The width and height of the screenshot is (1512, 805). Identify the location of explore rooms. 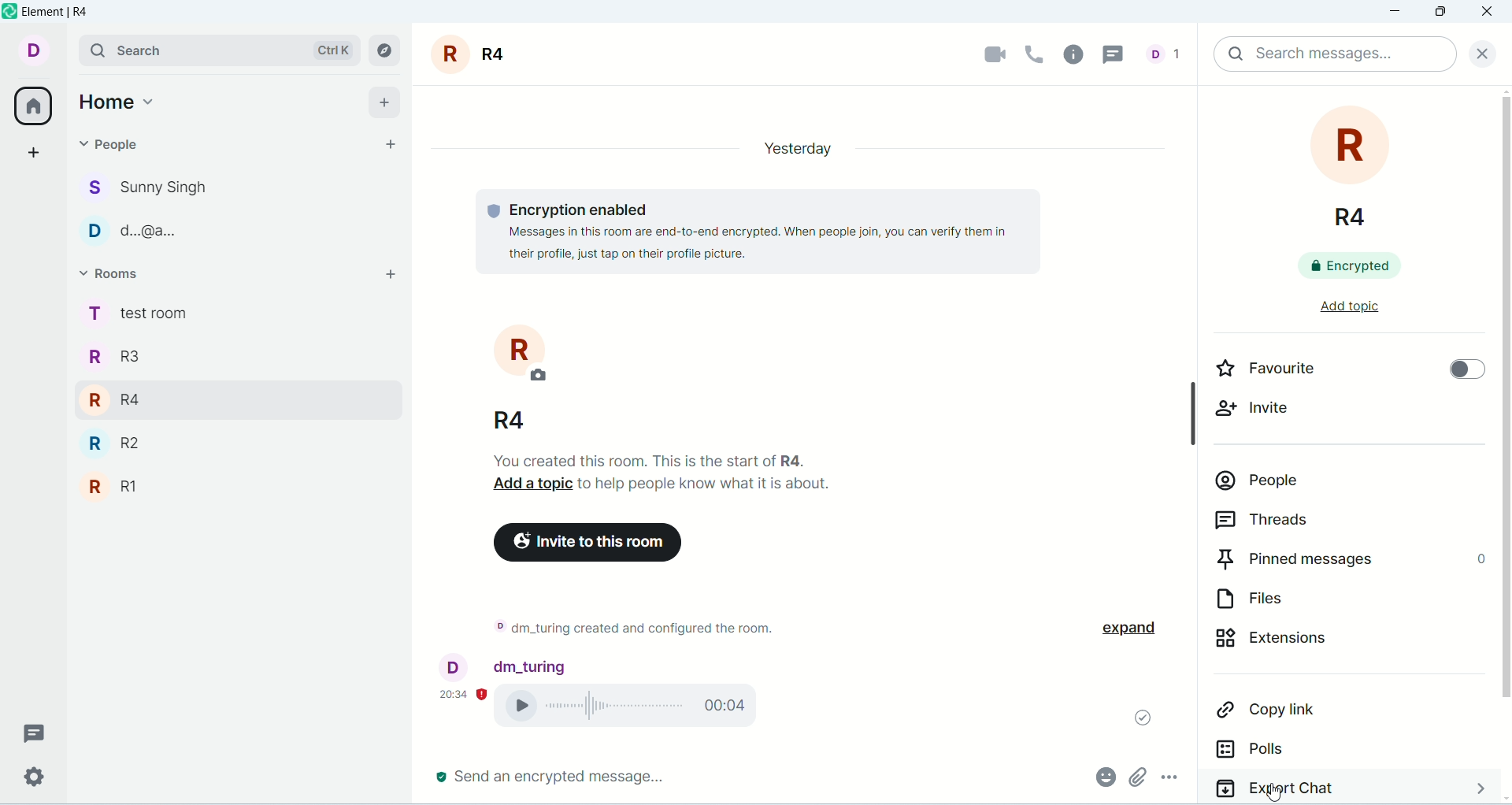
(386, 50).